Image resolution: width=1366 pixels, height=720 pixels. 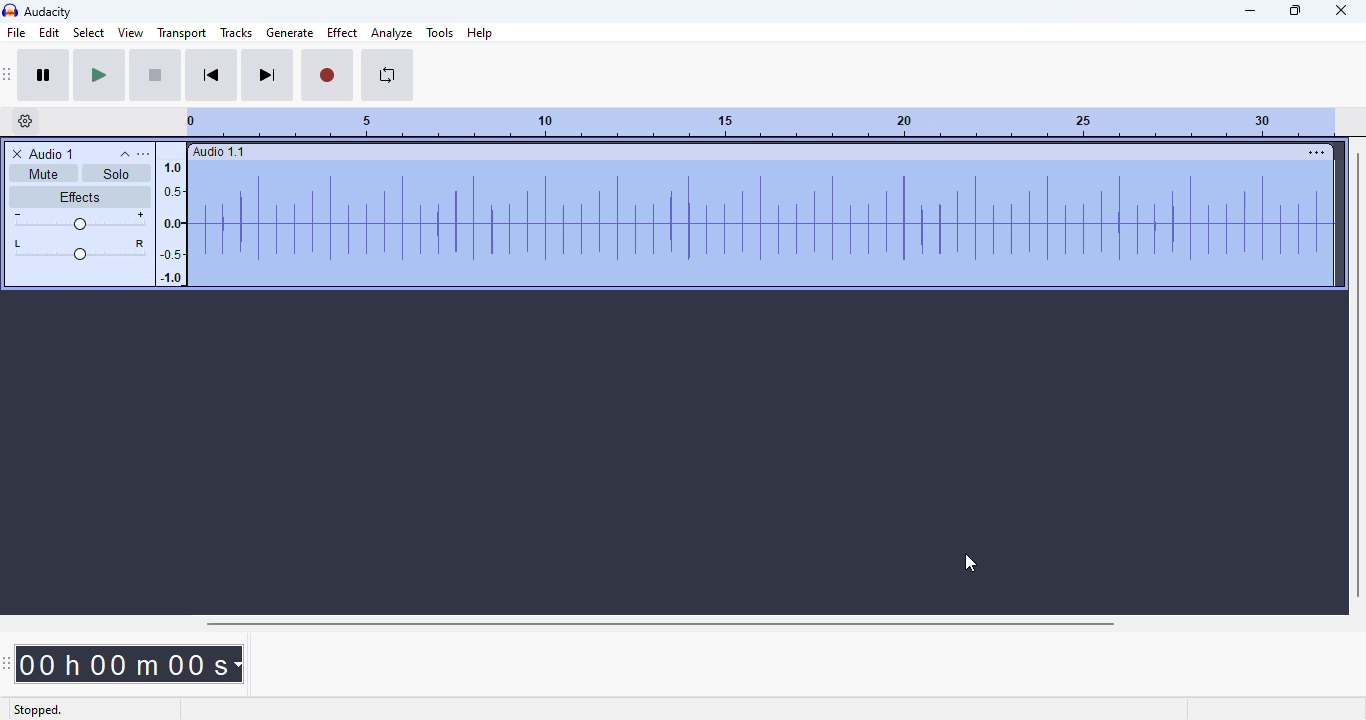 What do you see at coordinates (212, 75) in the screenshot?
I see `skip to start` at bounding box center [212, 75].